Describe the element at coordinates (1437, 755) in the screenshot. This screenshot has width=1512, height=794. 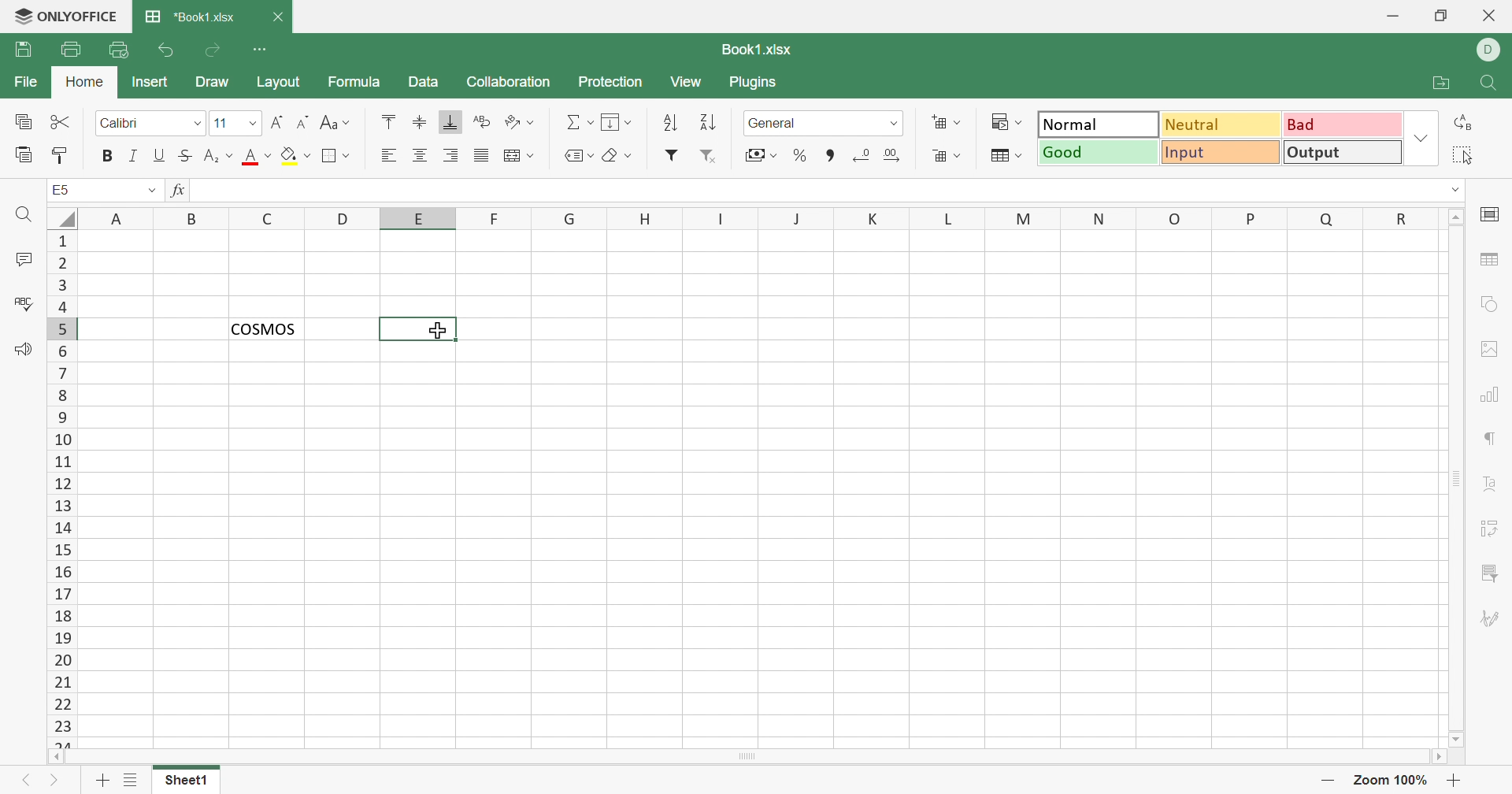
I see `Scroll right` at that location.